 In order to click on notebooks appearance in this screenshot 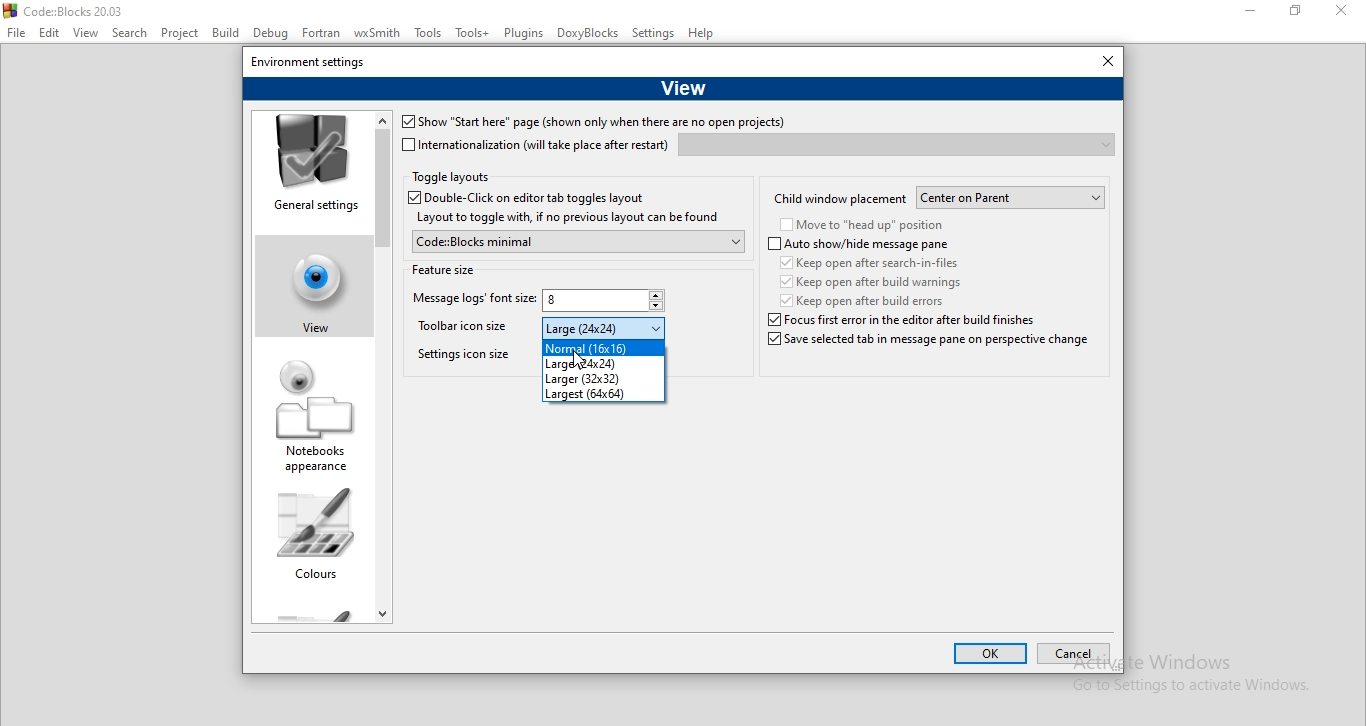, I will do `click(315, 418)`.